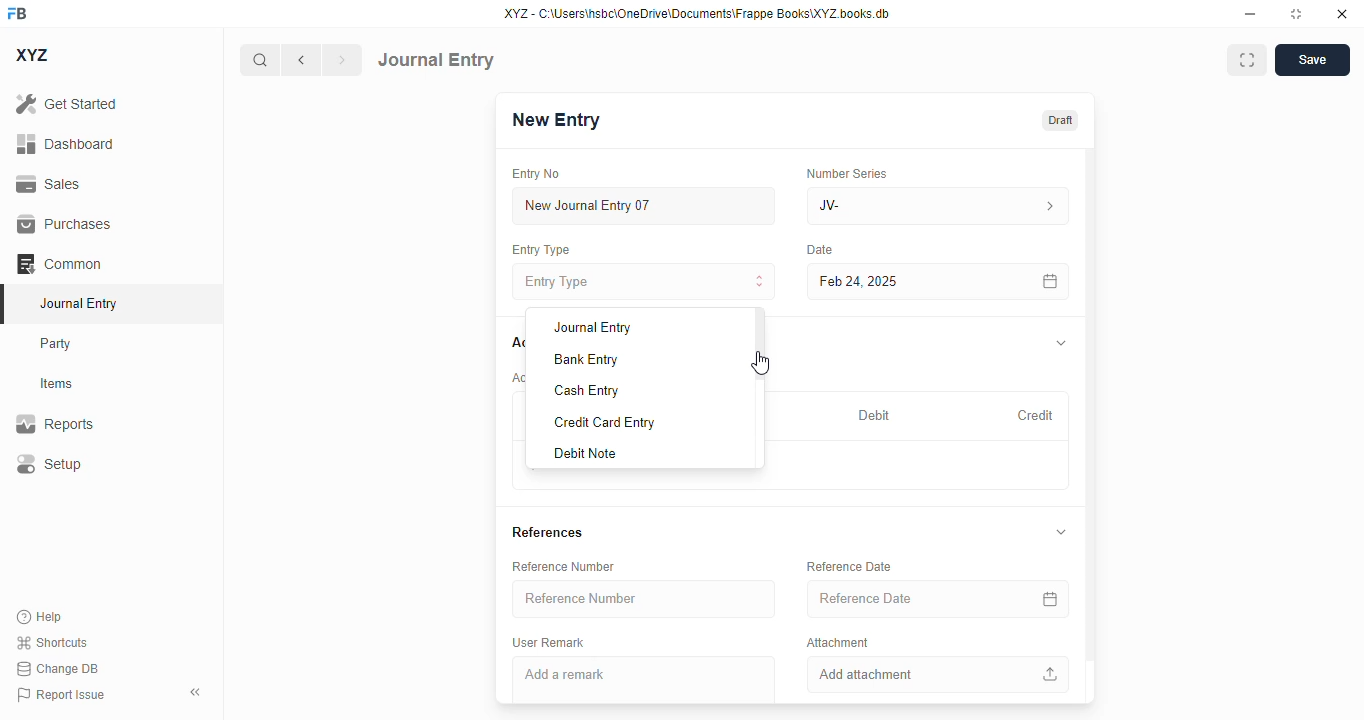 This screenshot has height=720, width=1364. I want to click on account entries, so click(517, 377).